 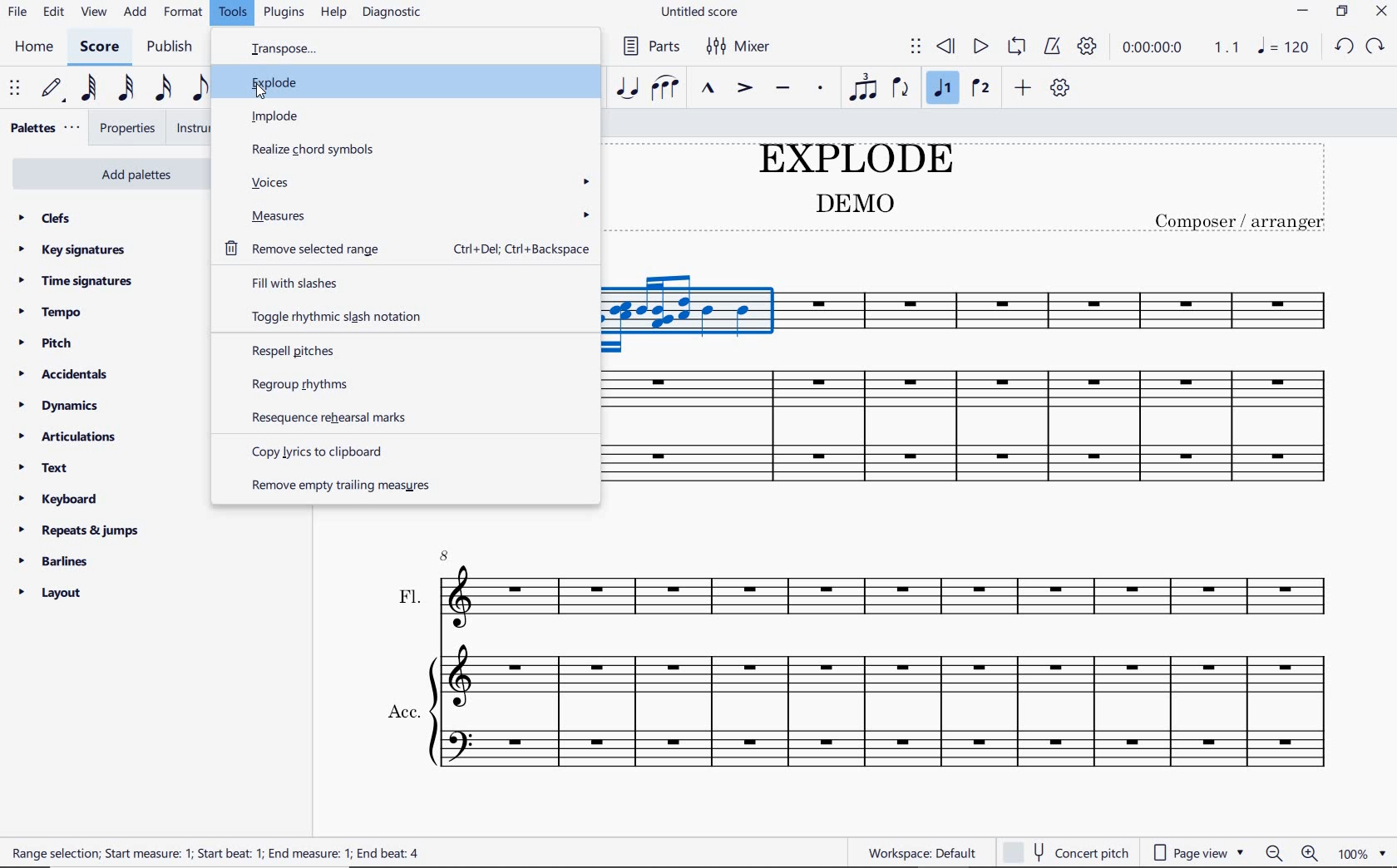 I want to click on barlines, so click(x=57, y=562).